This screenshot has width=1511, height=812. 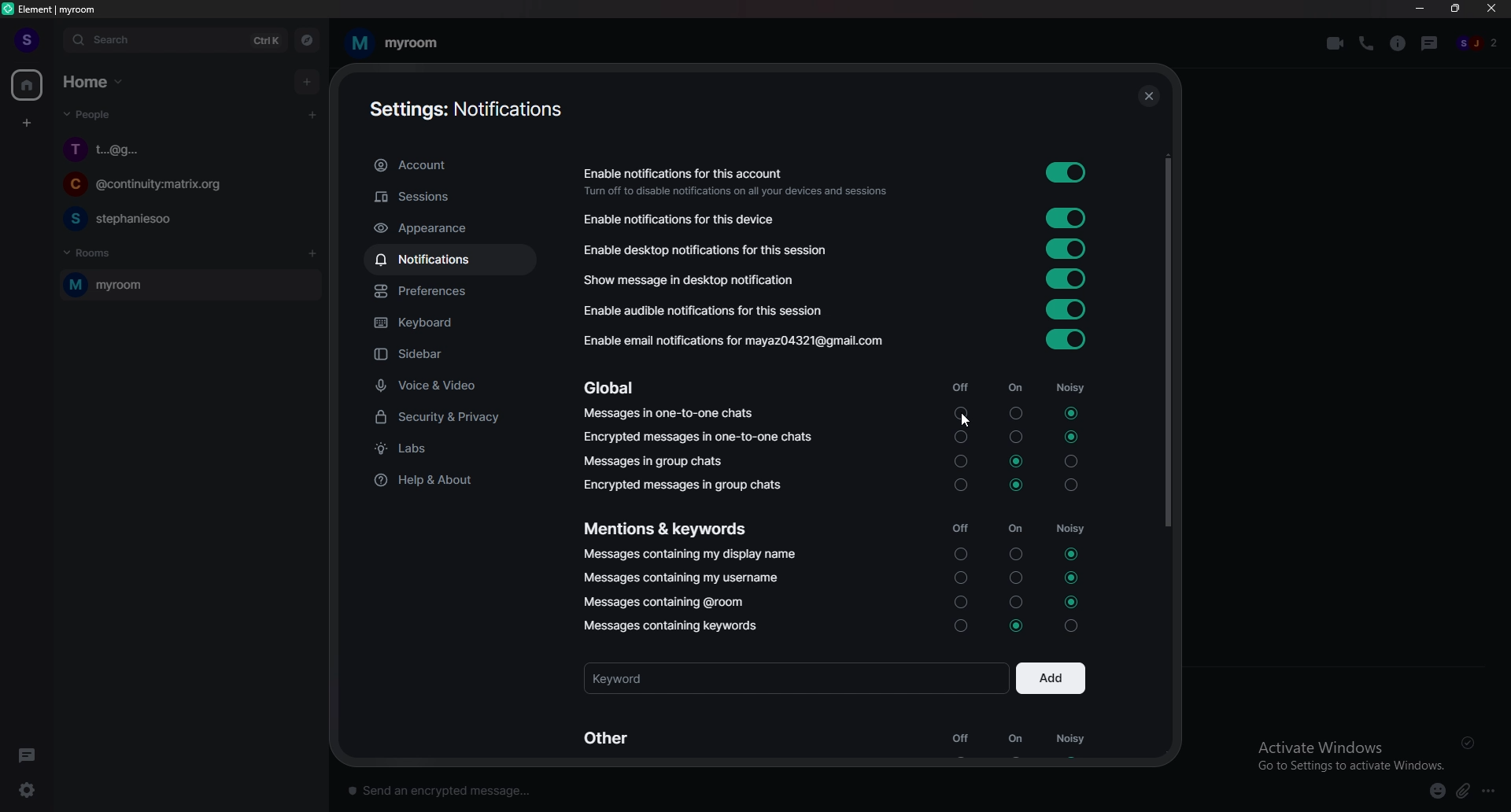 What do you see at coordinates (1492, 790) in the screenshot?
I see `options` at bounding box center [1492, 790].